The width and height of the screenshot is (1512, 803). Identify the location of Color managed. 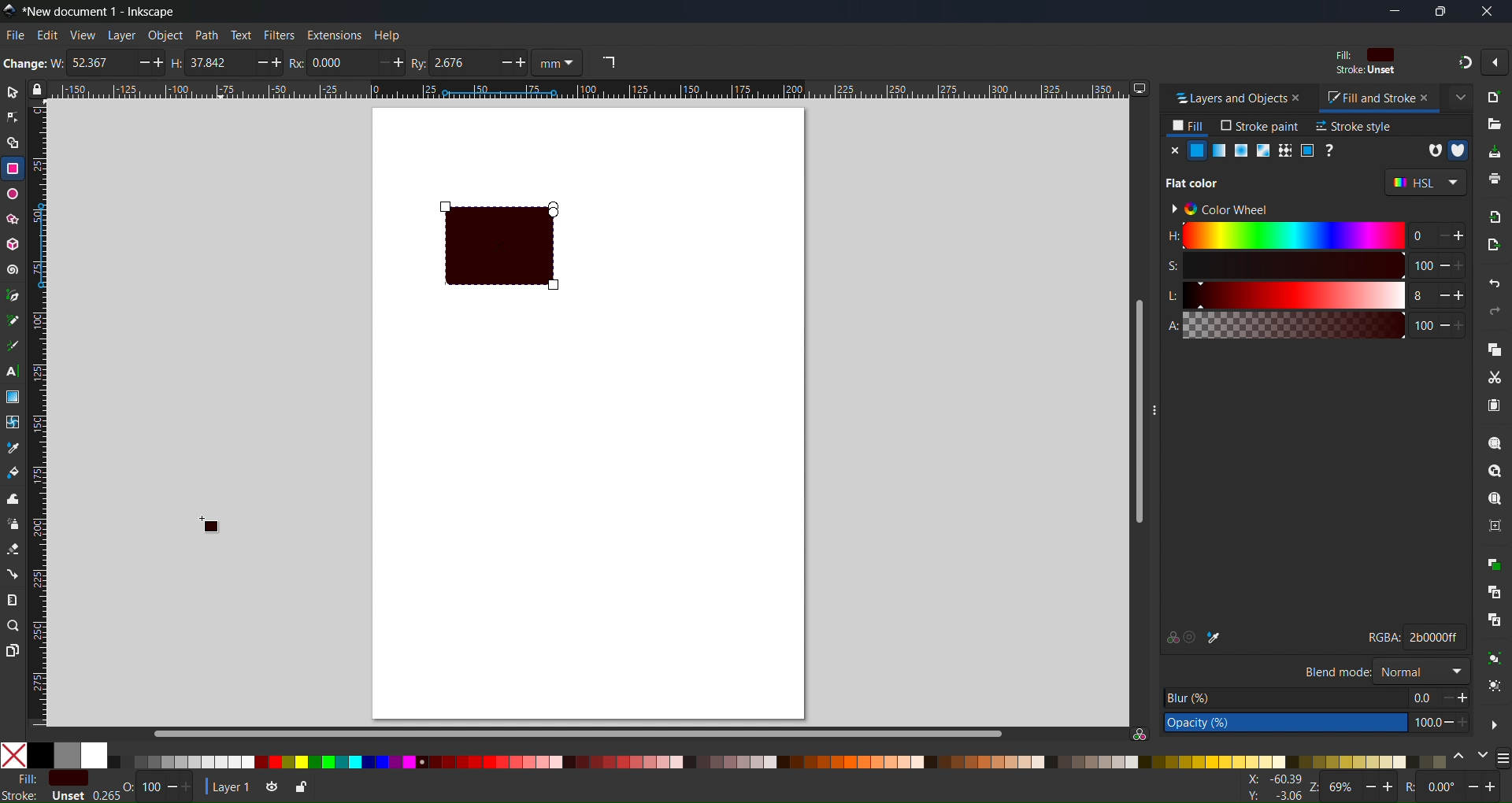
(1170, 637).